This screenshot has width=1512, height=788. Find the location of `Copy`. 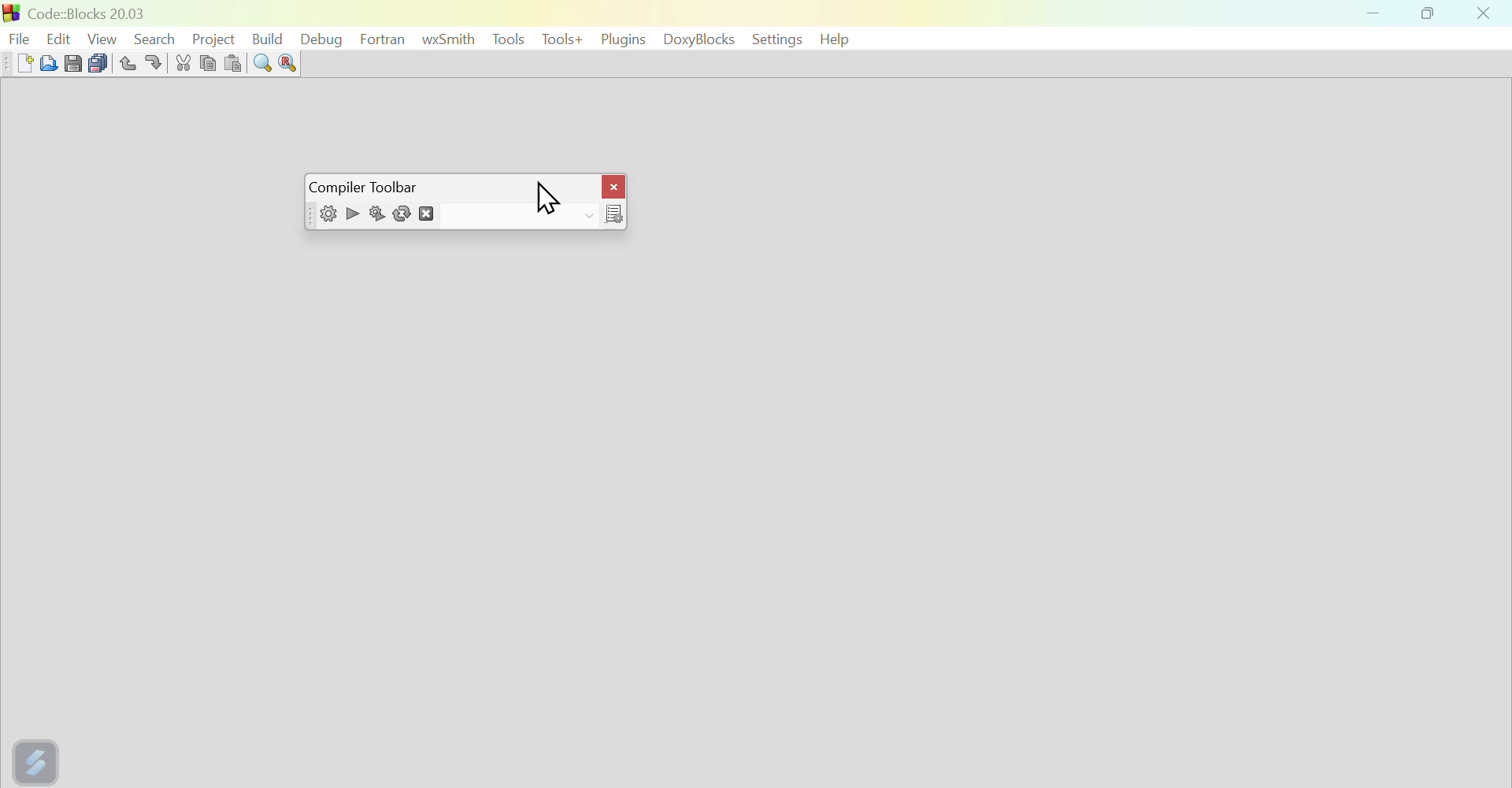

Copy is located at coordinates (209, 61).